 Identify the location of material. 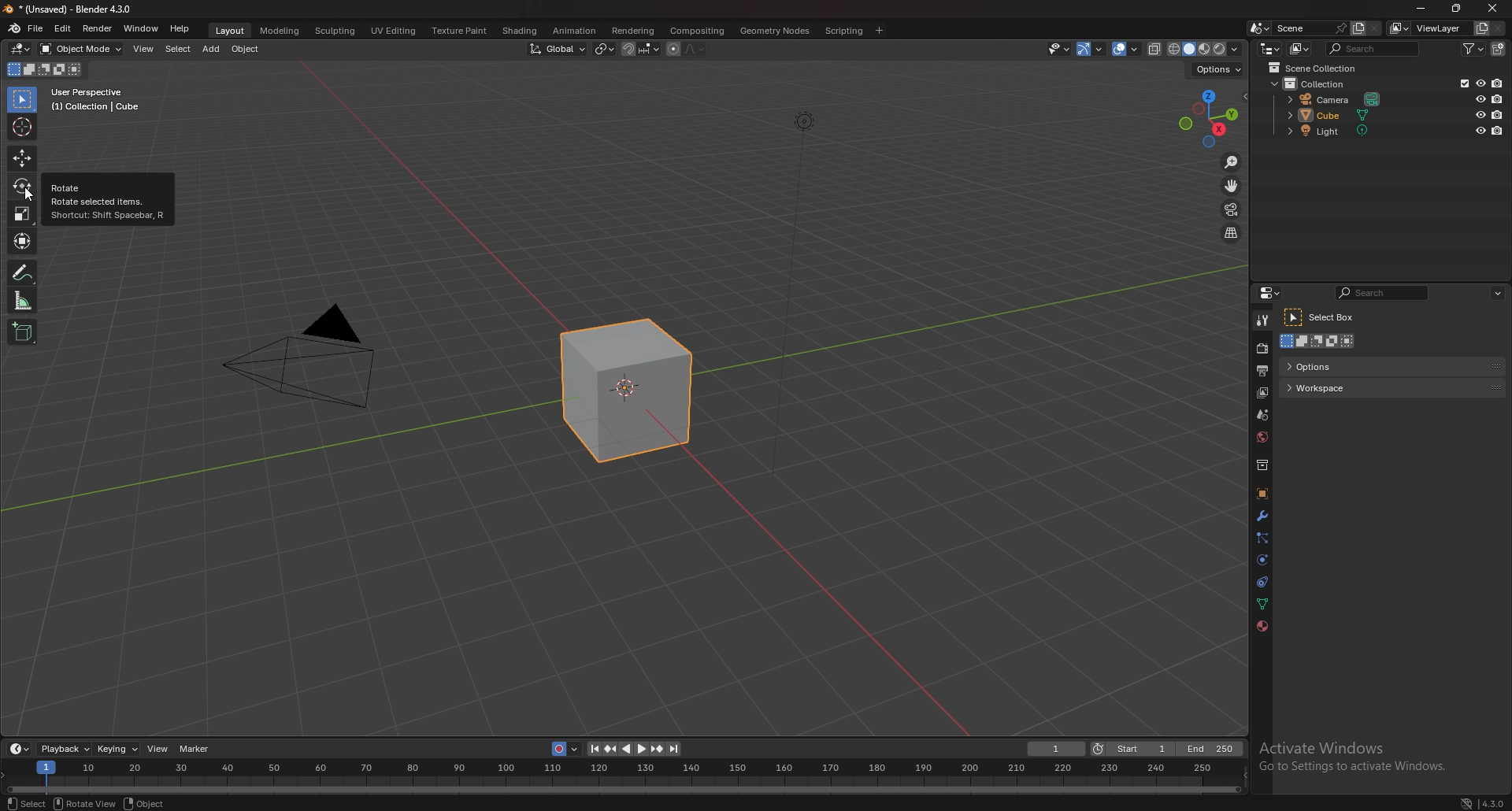
(1262, 626).